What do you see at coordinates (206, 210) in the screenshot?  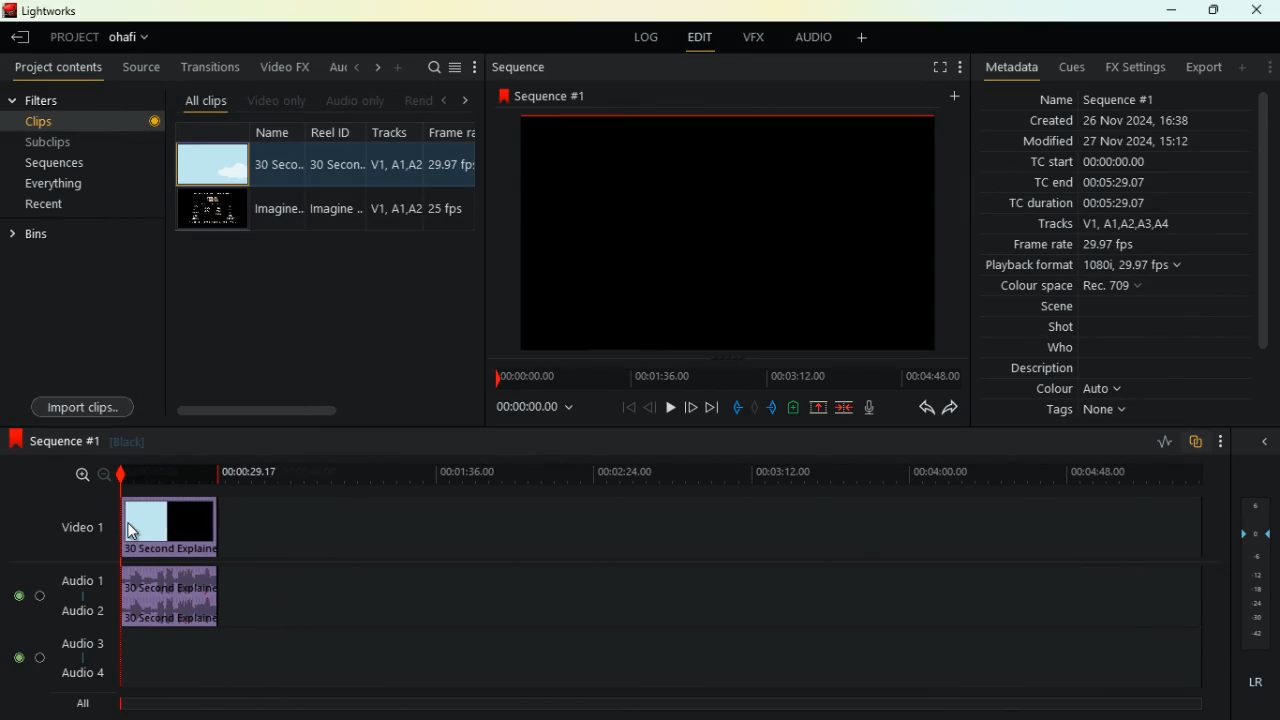 I see `video` at bounding box center [206, 210].